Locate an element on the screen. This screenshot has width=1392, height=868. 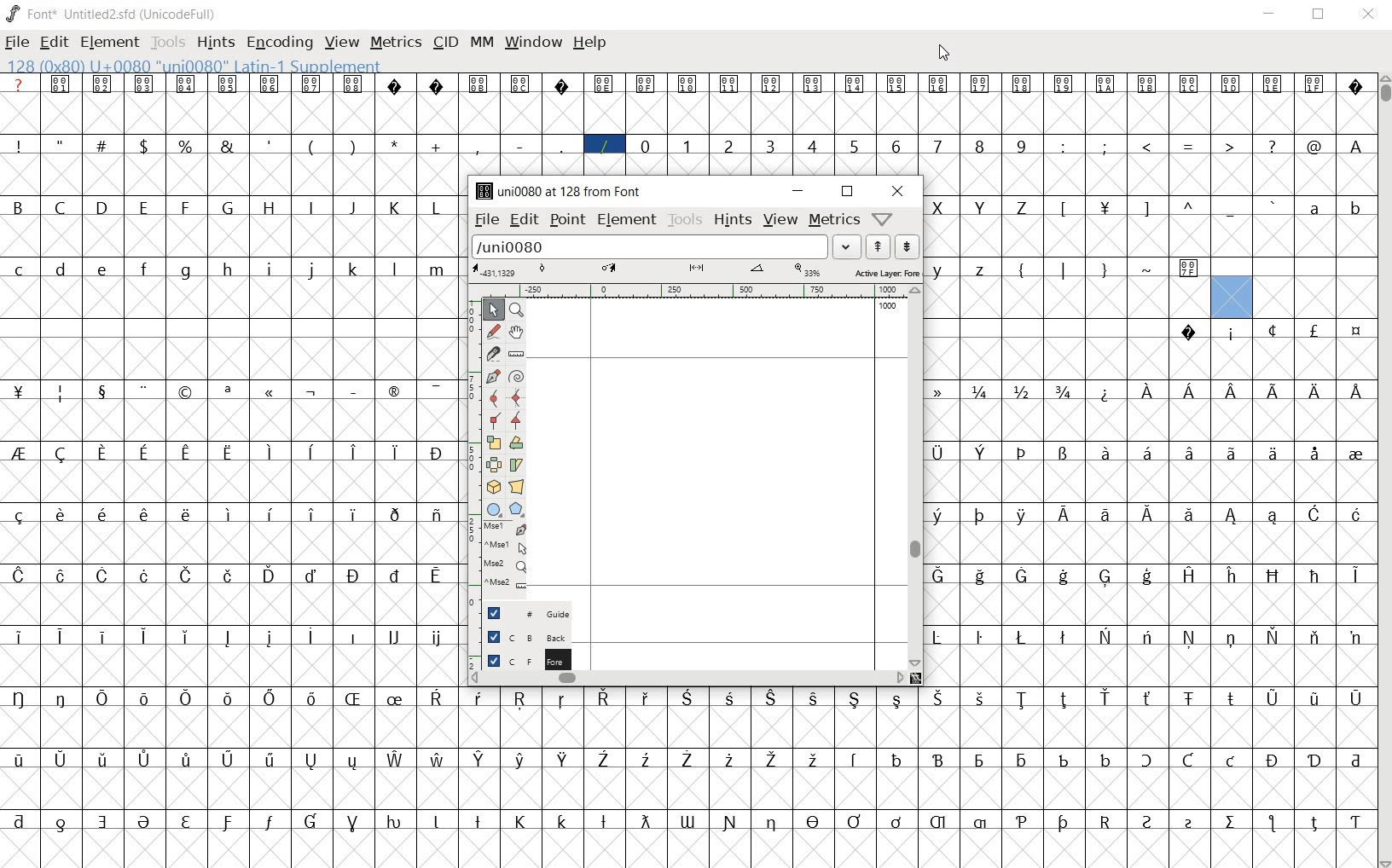
glyph is located at coordinates (1064, 823).